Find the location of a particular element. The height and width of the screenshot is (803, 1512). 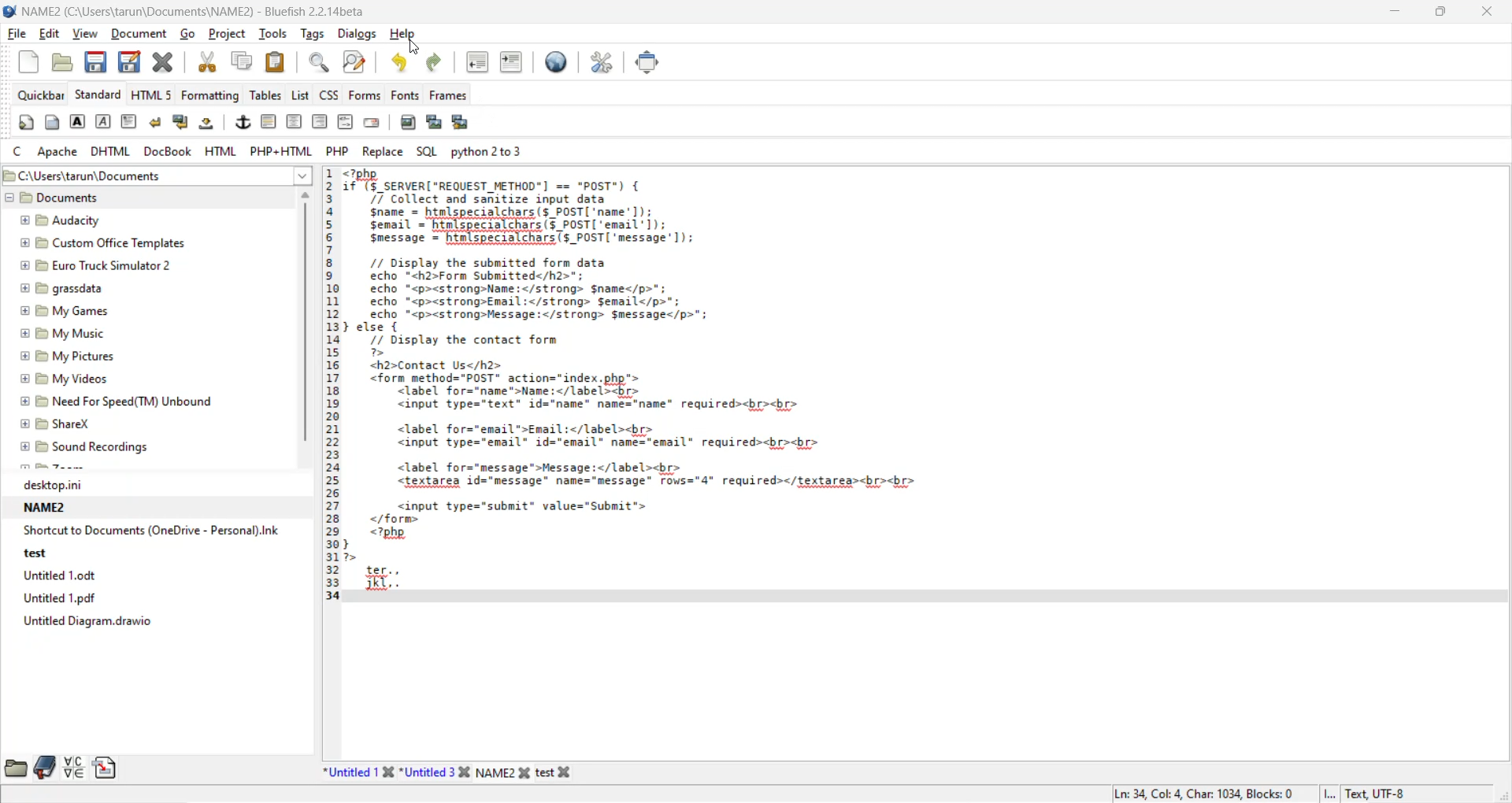

charmap is located at coordinates (76, 767).